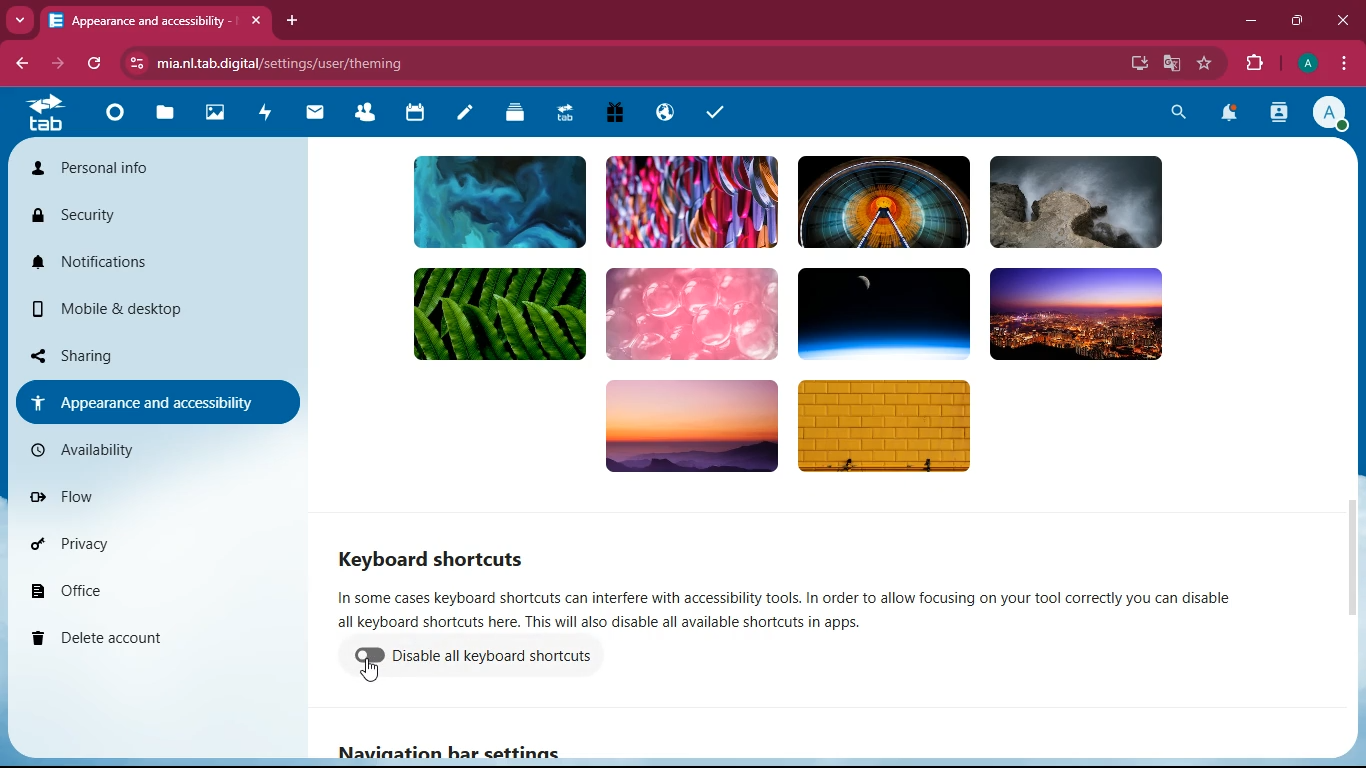  I want to click on tab, so click(566, 112).